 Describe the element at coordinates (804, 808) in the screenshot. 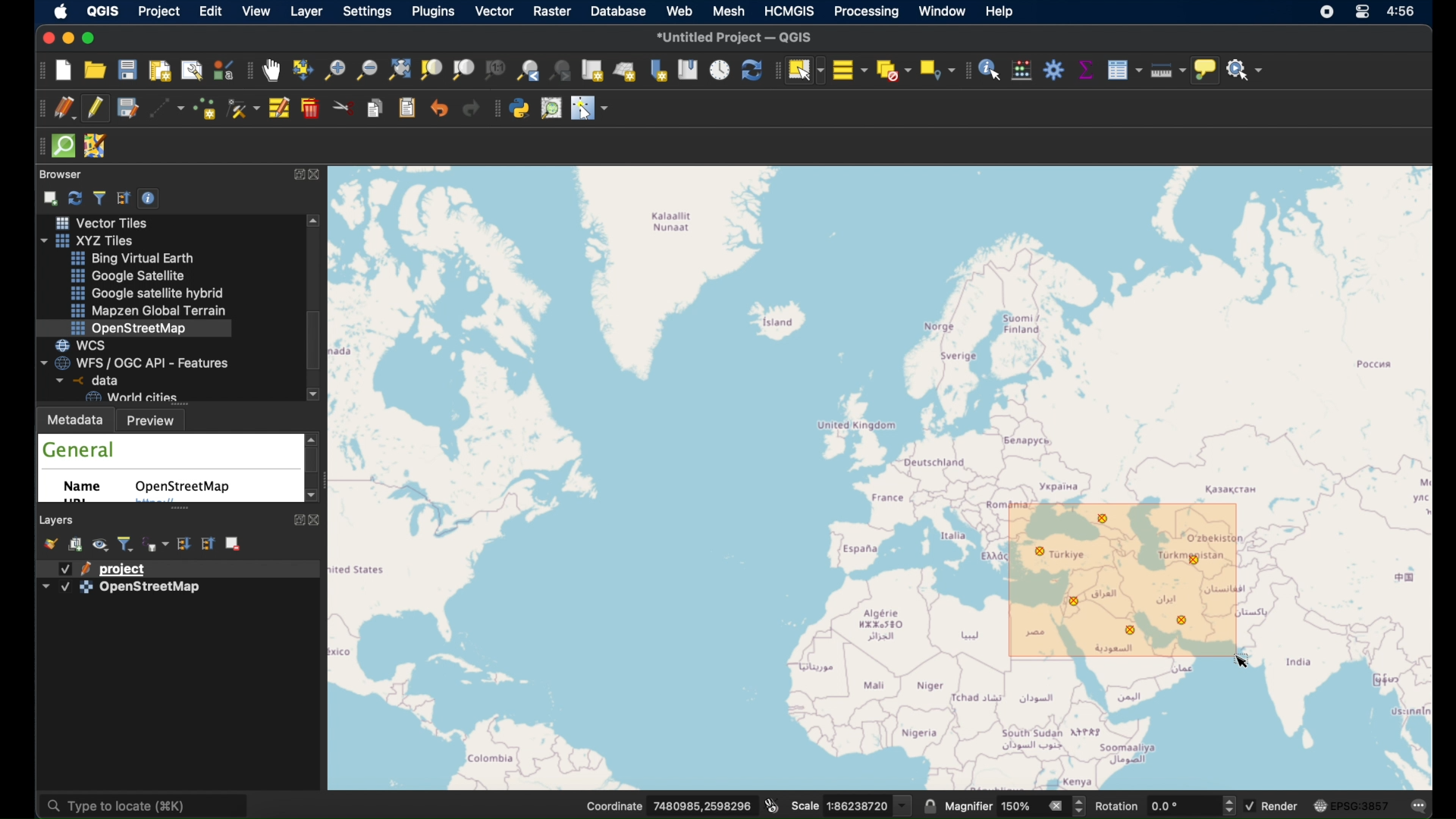

I see `scale` at that location.